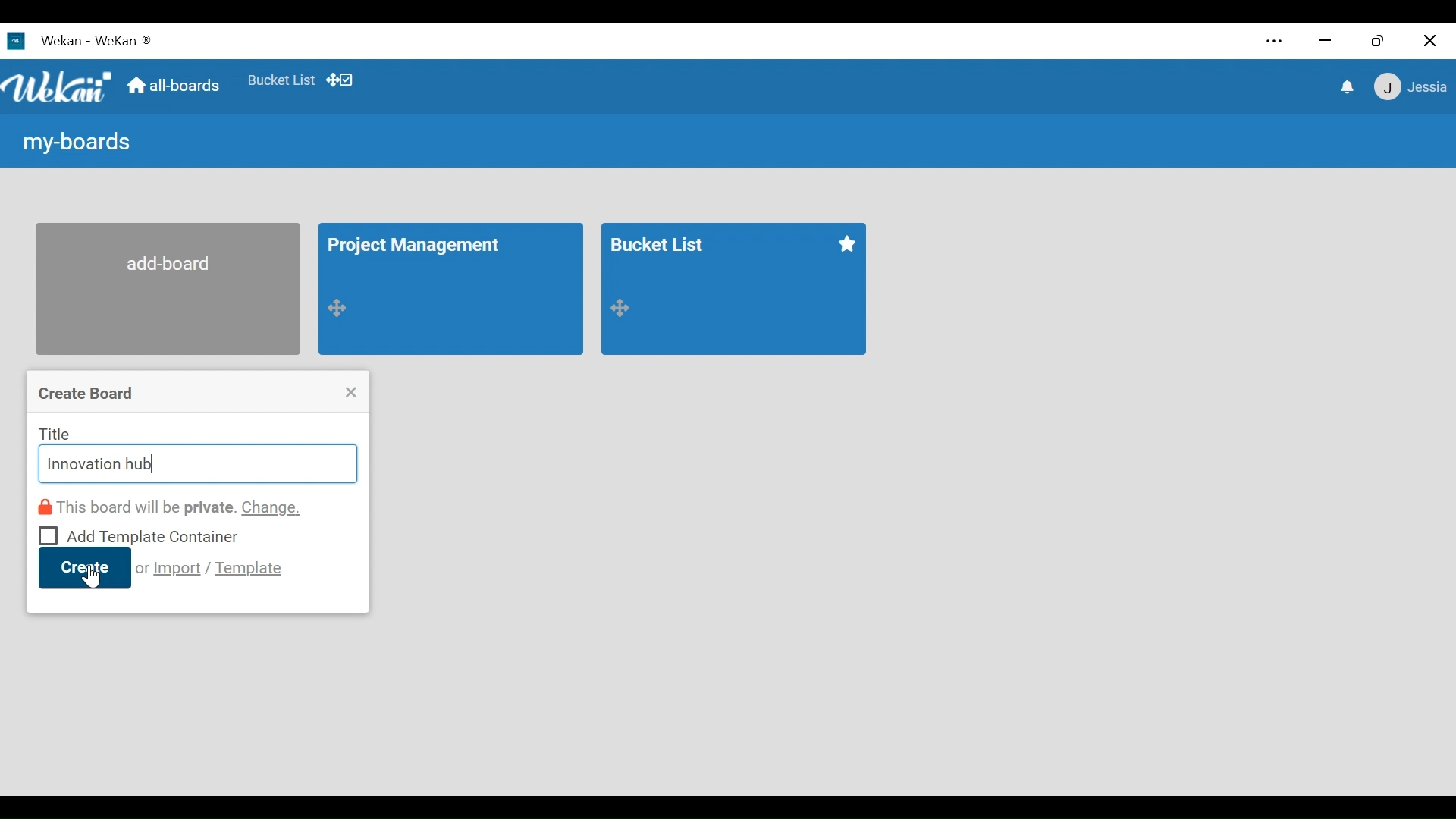  I want to click on notifiation, so click(1345, 87).